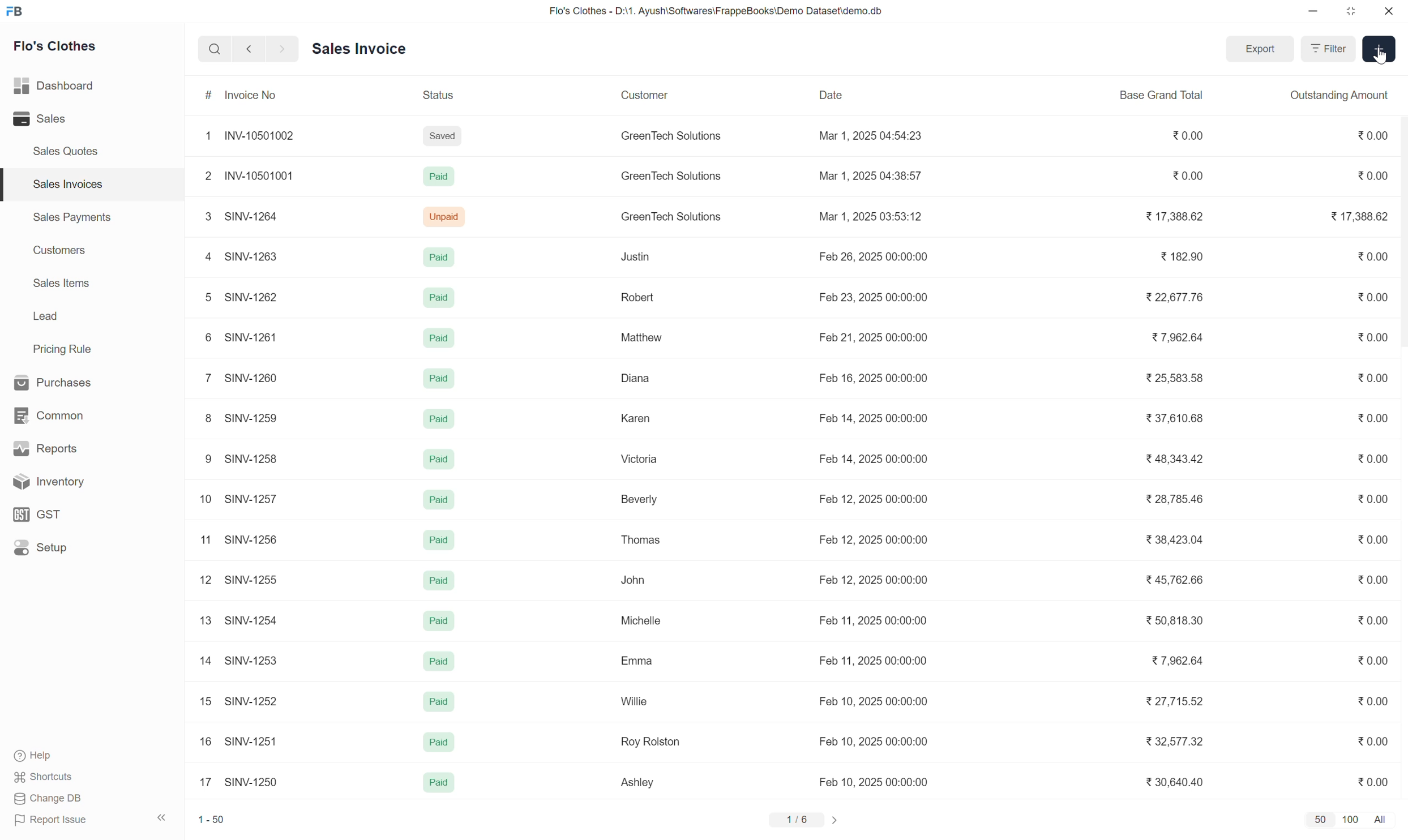  I want to click on SINV-1251, so click(249, 741).